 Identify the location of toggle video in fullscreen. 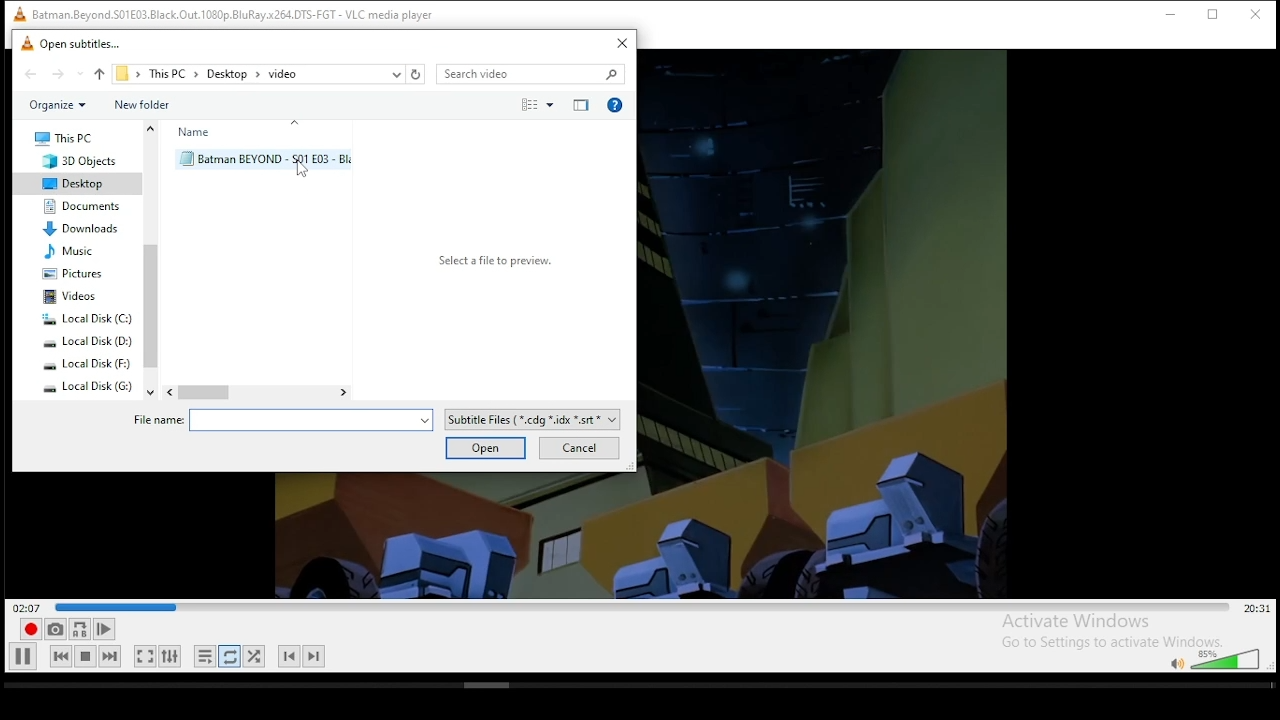
(145, 656).